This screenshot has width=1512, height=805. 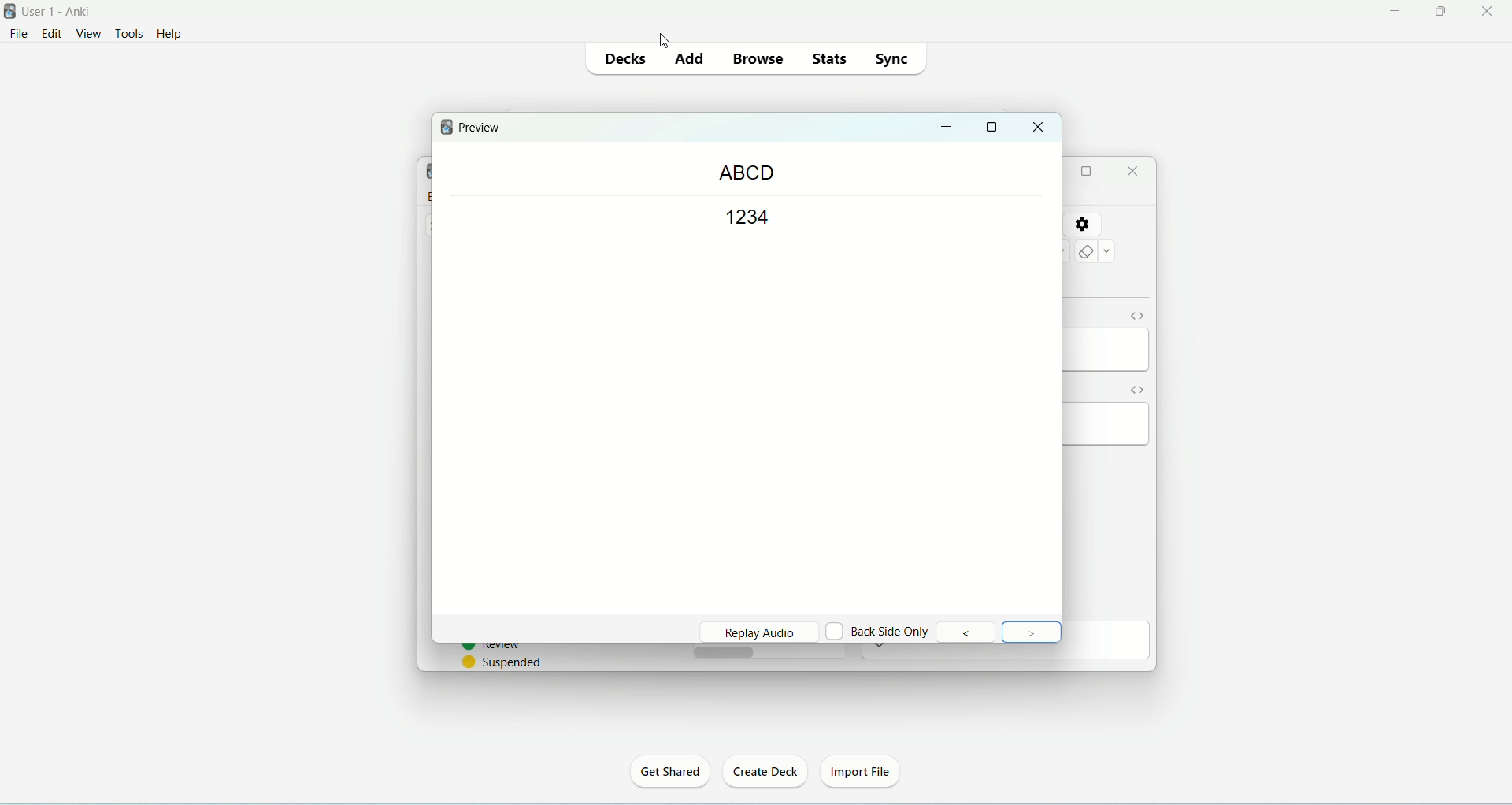 I want to click on view, so click(x=89, y=33).